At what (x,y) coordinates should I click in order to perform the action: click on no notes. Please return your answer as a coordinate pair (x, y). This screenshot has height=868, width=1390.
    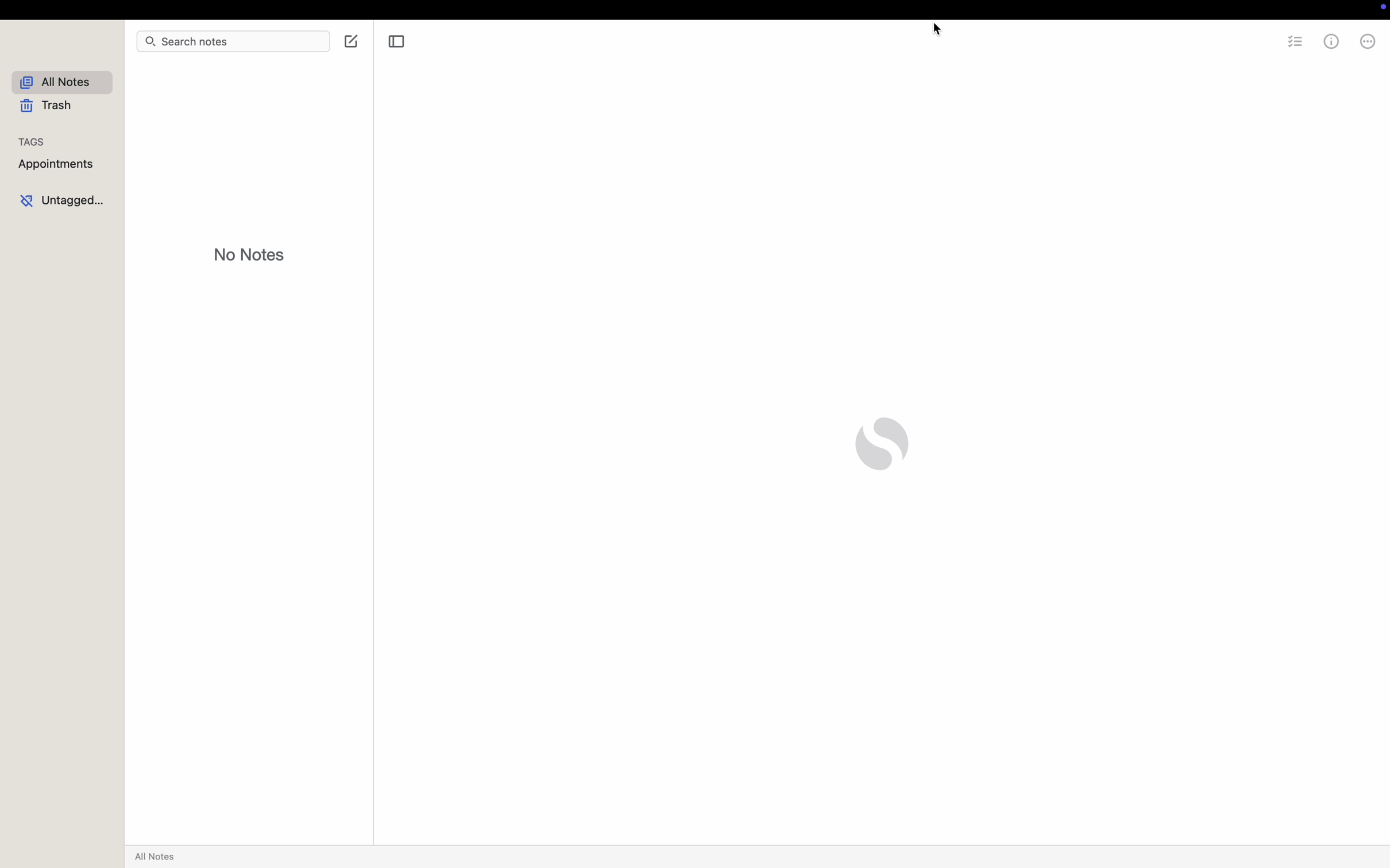
    Looking at the image, I should click on (248, 255).